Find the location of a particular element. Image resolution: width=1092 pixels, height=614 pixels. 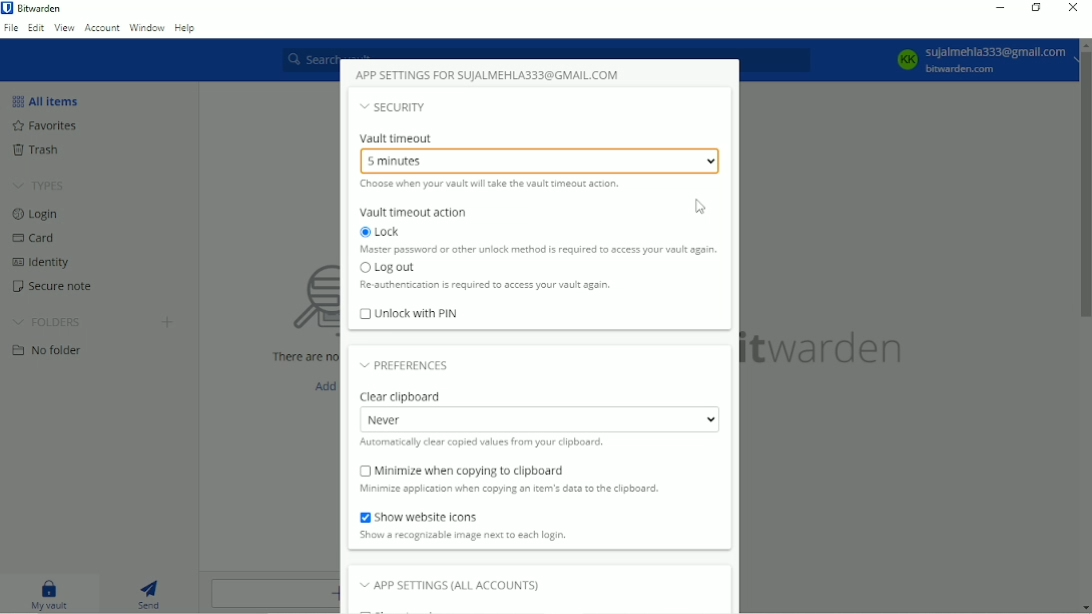

Minimize application when copying an item's data to the clipboard. is located at coordinates (518, 489).